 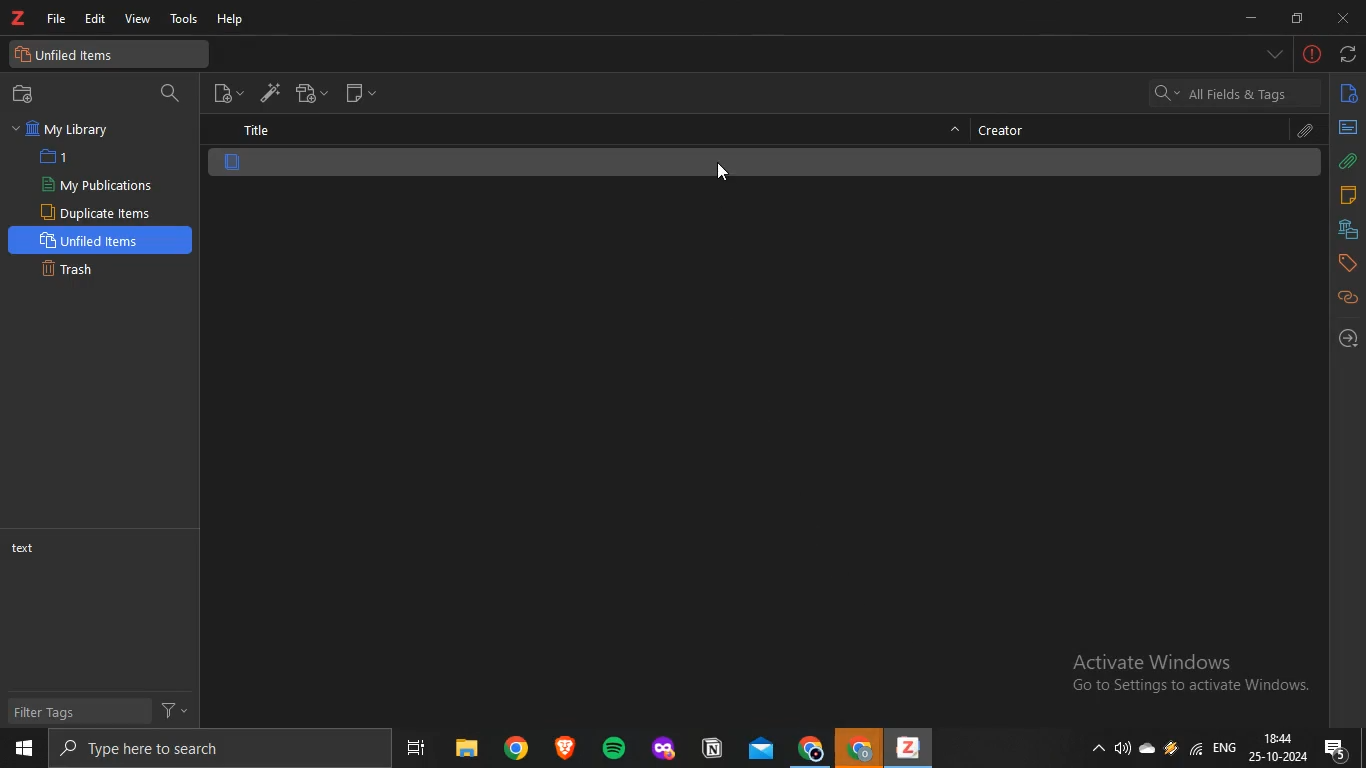 What do you see at coordinates (854, 746) in the screenshot?
I see `chrome` at bounding box center [854, 746].